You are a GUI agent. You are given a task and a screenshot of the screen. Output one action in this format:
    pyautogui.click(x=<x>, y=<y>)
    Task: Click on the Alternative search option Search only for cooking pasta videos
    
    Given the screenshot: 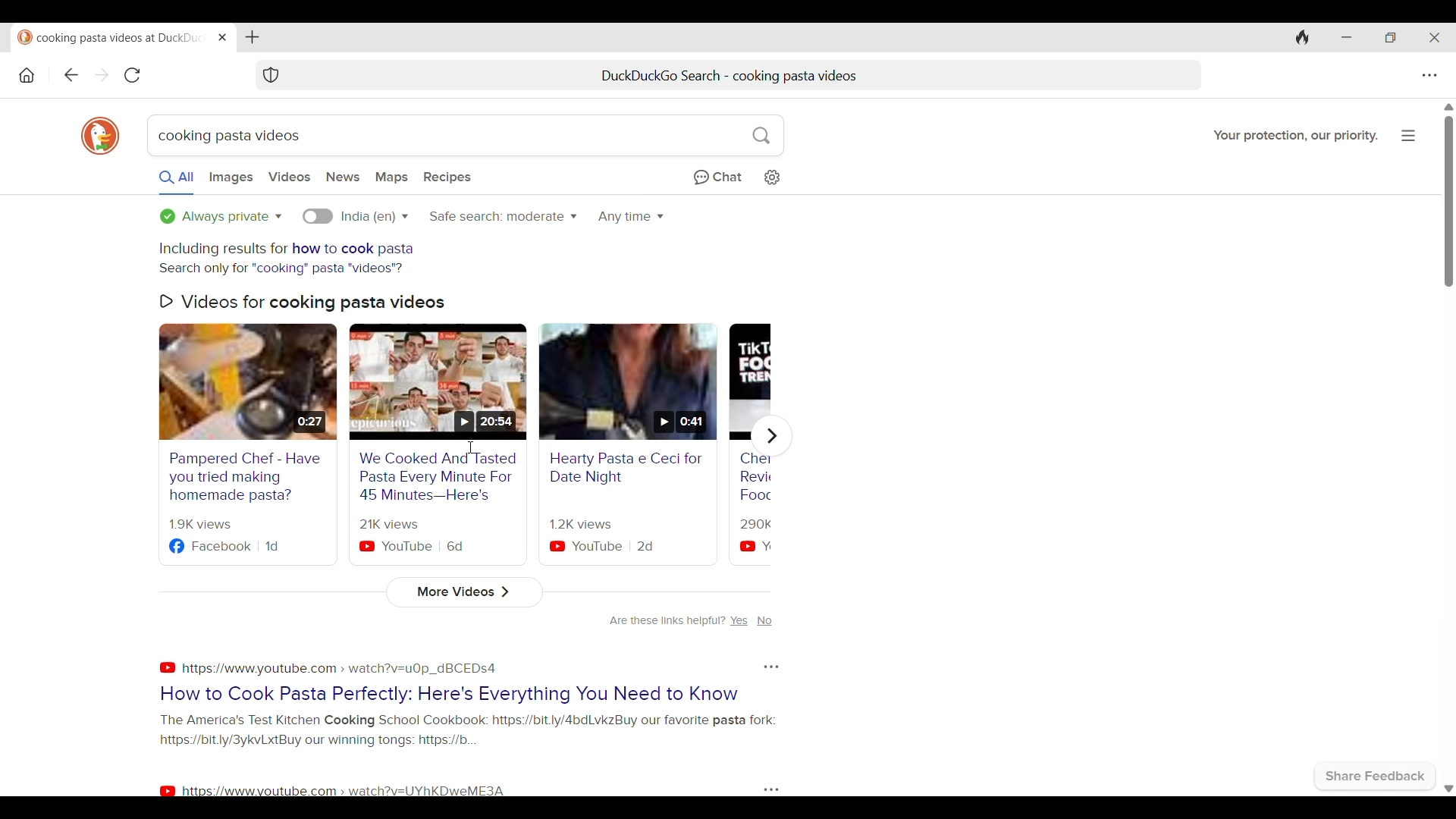 What is the action you would take?
    pyautogui.click(x=284, y=268)
    